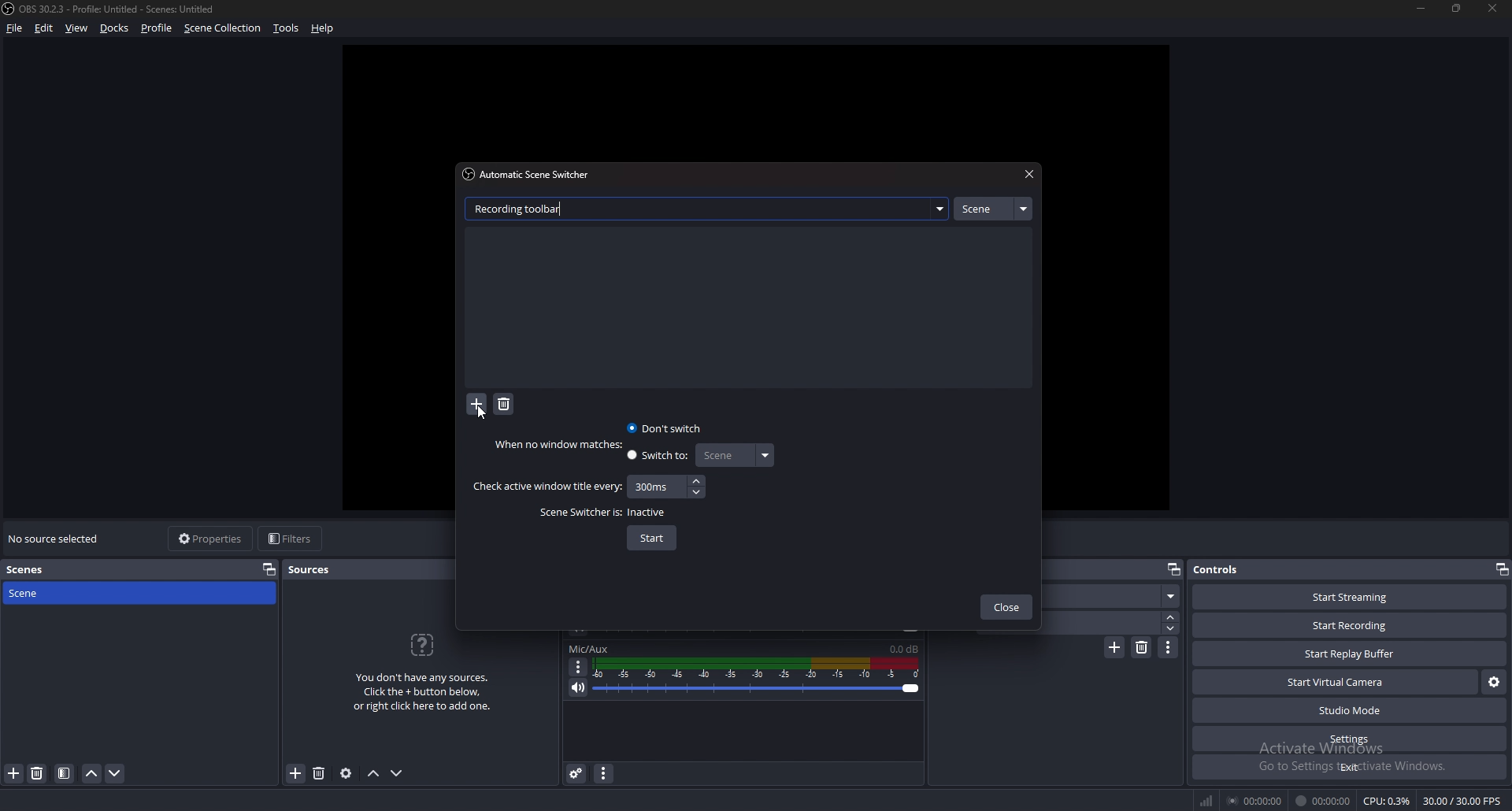 The image size is (1512, 811). What do you see at coordinates (666, 428) in the screenshot?
I see `dont switch` at bounding box center [666, 428].